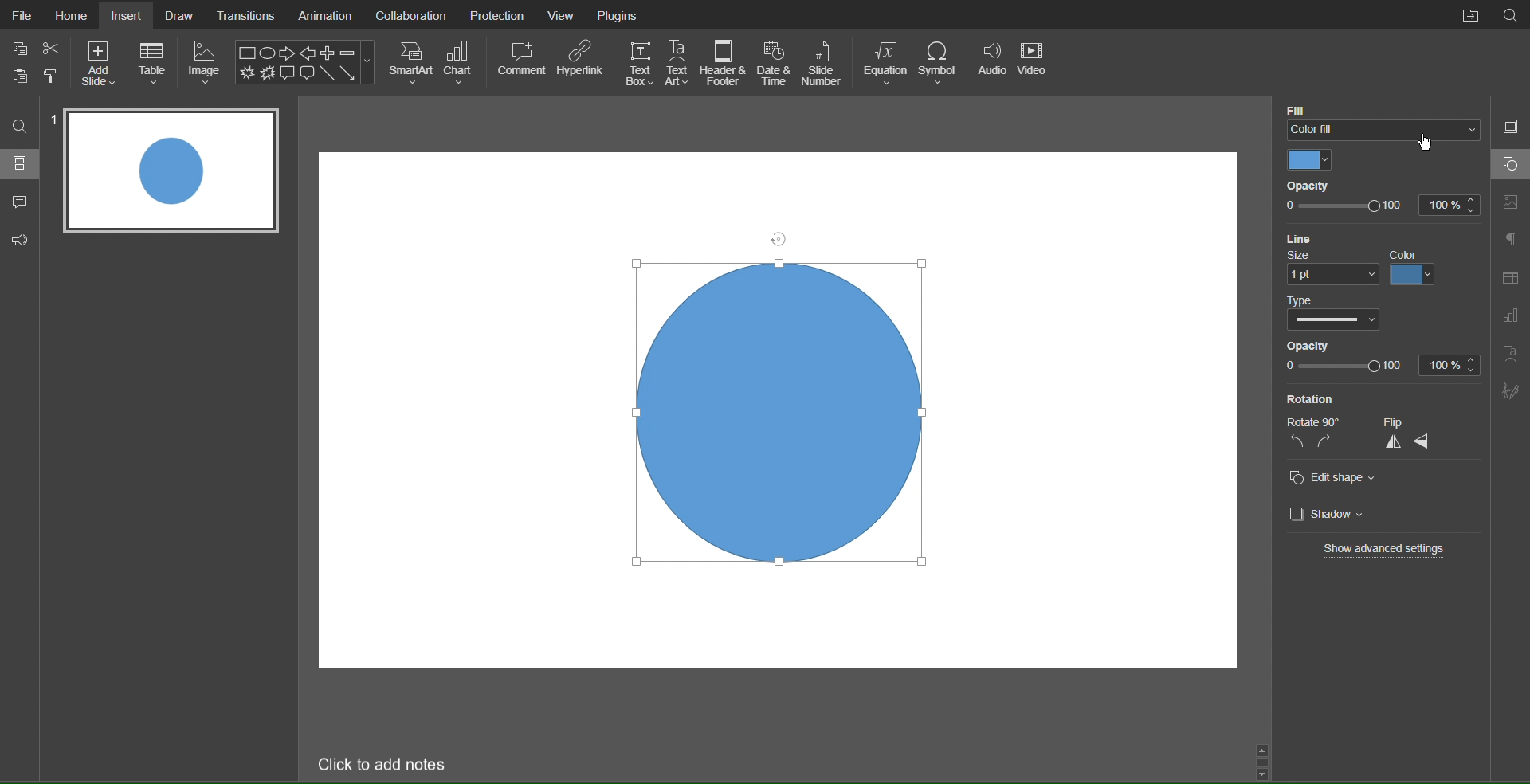 The image size is (1530, 784). I want to click on color, so click(1400, 253).